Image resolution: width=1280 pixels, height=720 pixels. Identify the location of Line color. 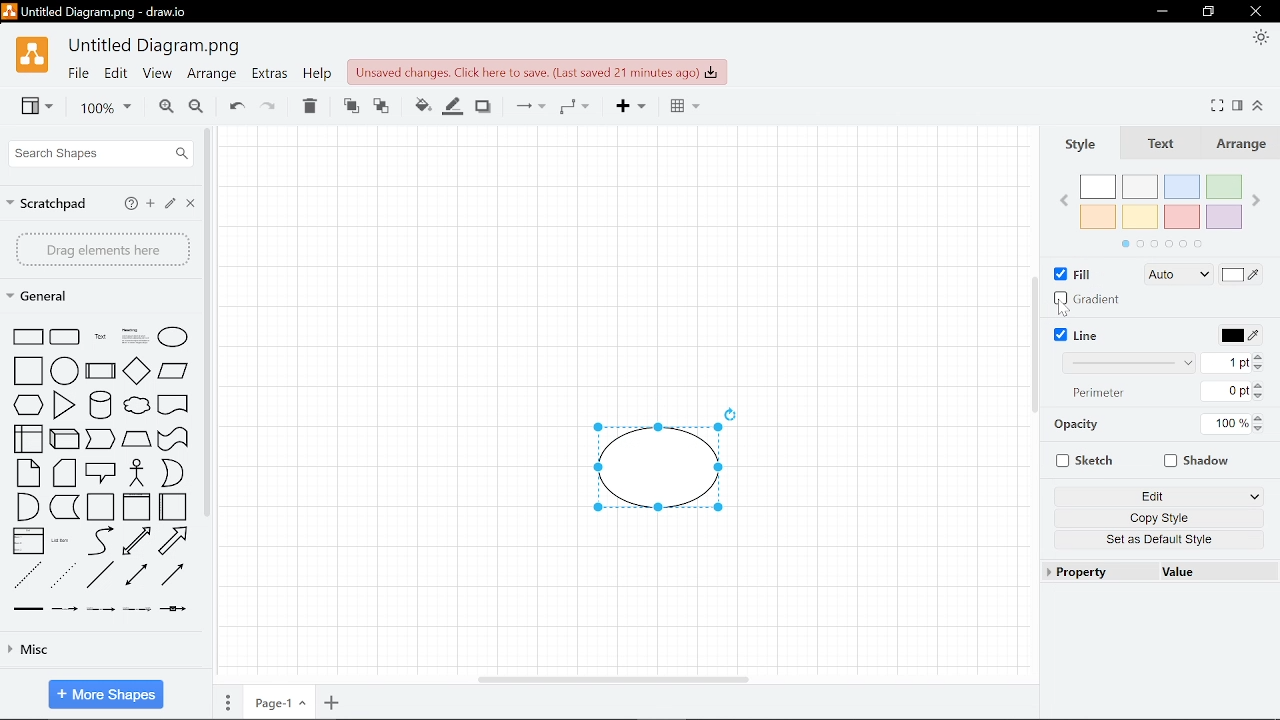
(1238, 337).